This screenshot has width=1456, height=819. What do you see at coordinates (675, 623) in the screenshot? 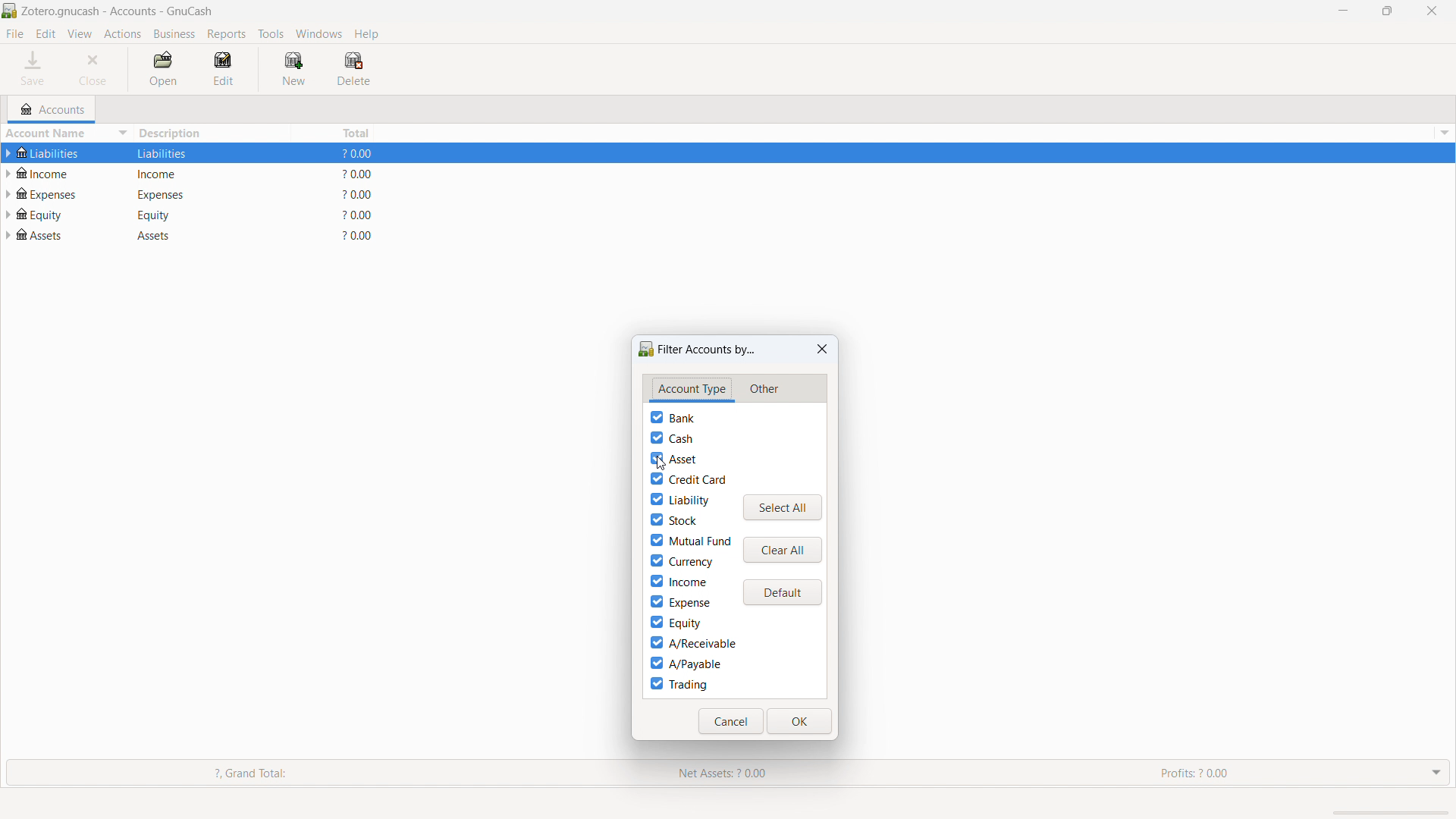
I see `equity` at bounding box center [675, 623].